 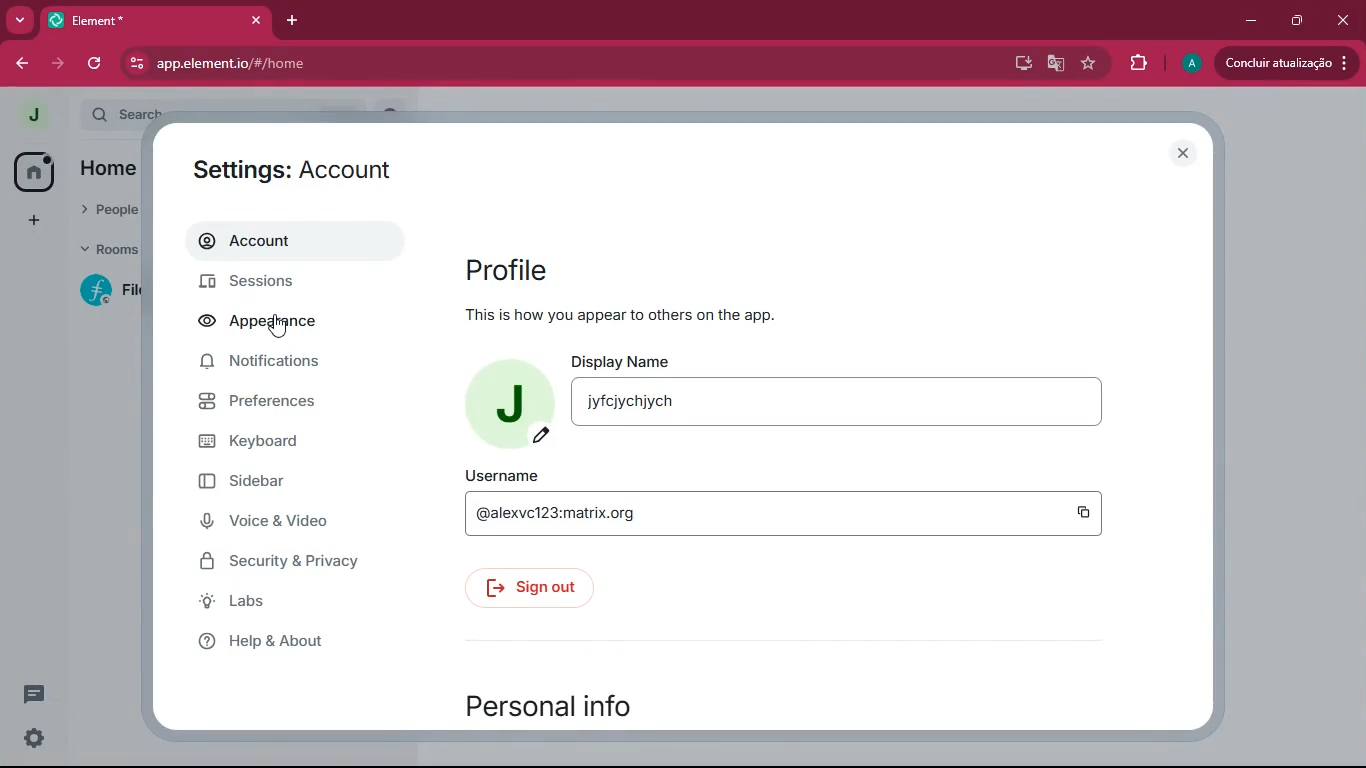 I want to click on security, so click(x=301, y=562).